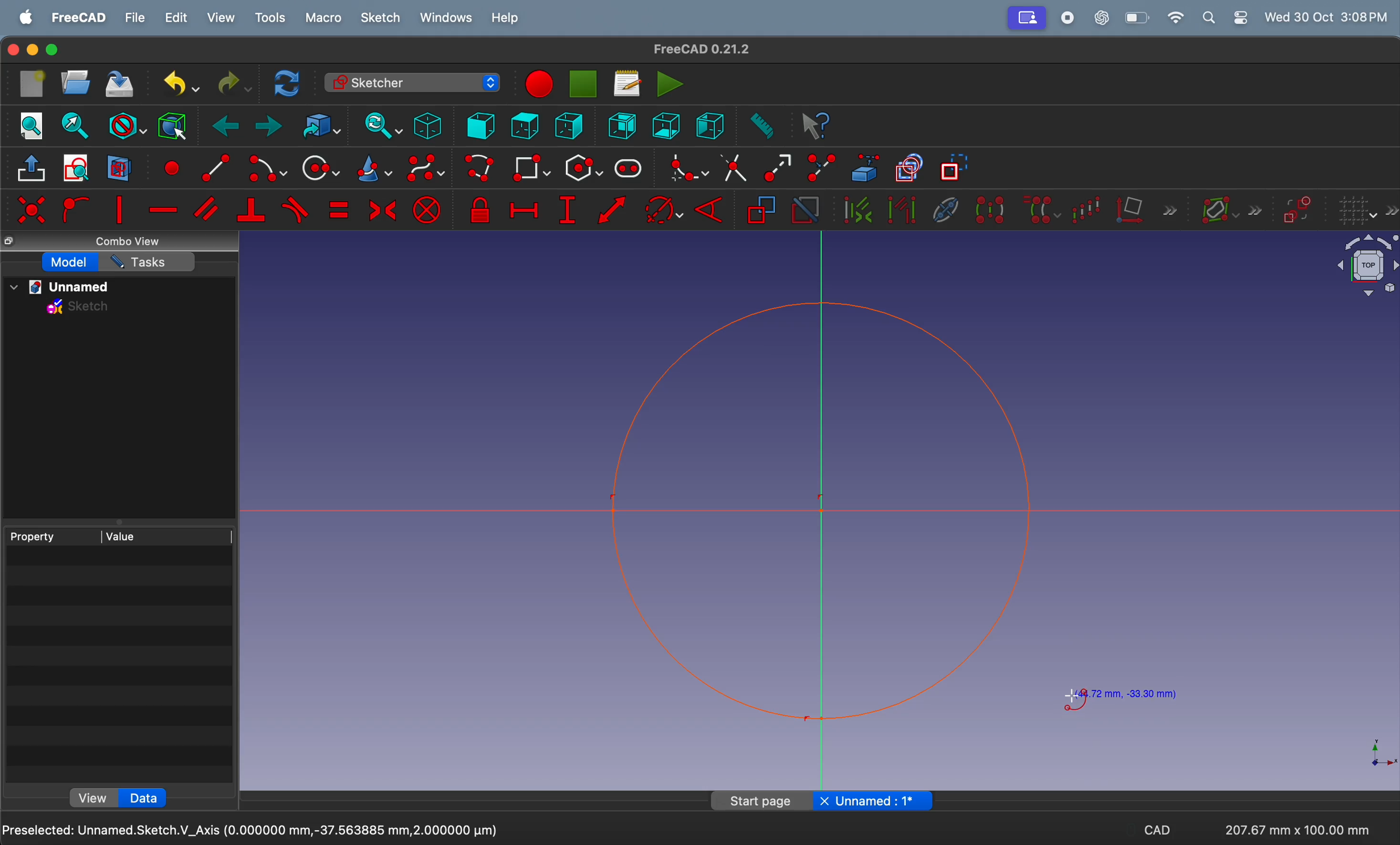  Describe the element at coordinates (168, 535) in the screenshot. I see `value` at that location.